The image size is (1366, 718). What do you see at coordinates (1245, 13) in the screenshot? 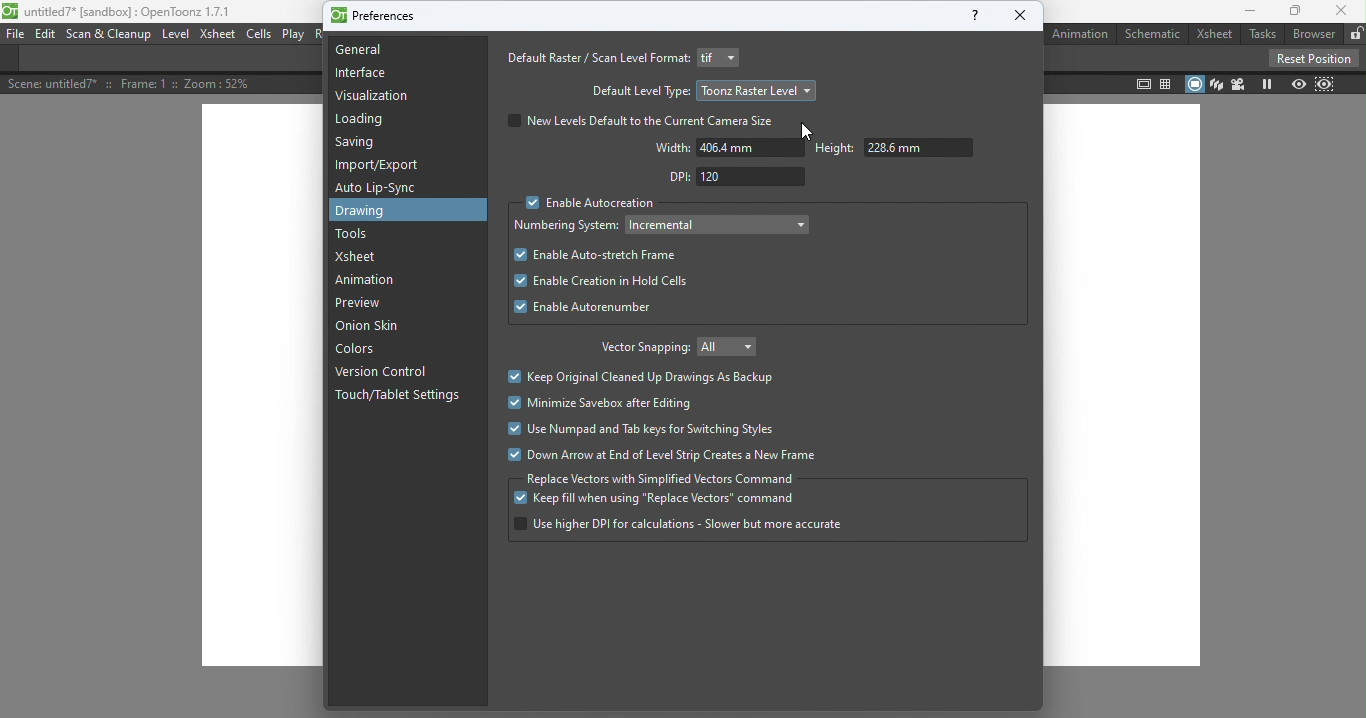
I see `Minimize` at bounding box center [1245, 13].